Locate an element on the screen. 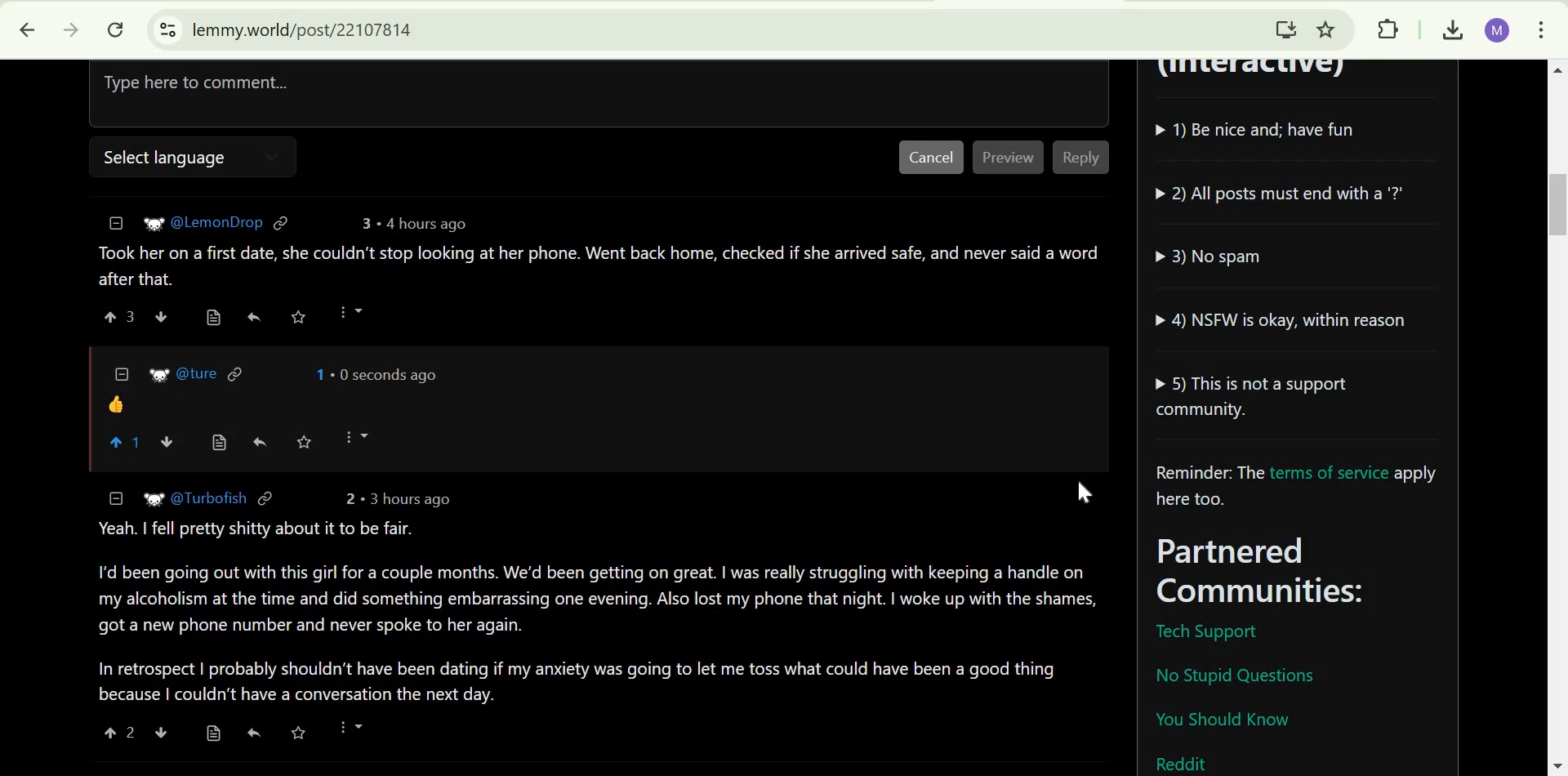 Image resolution: width=1568 pixels, height=776 pixels. customize and control Google Chrome is located at coordinates (1542, 32).